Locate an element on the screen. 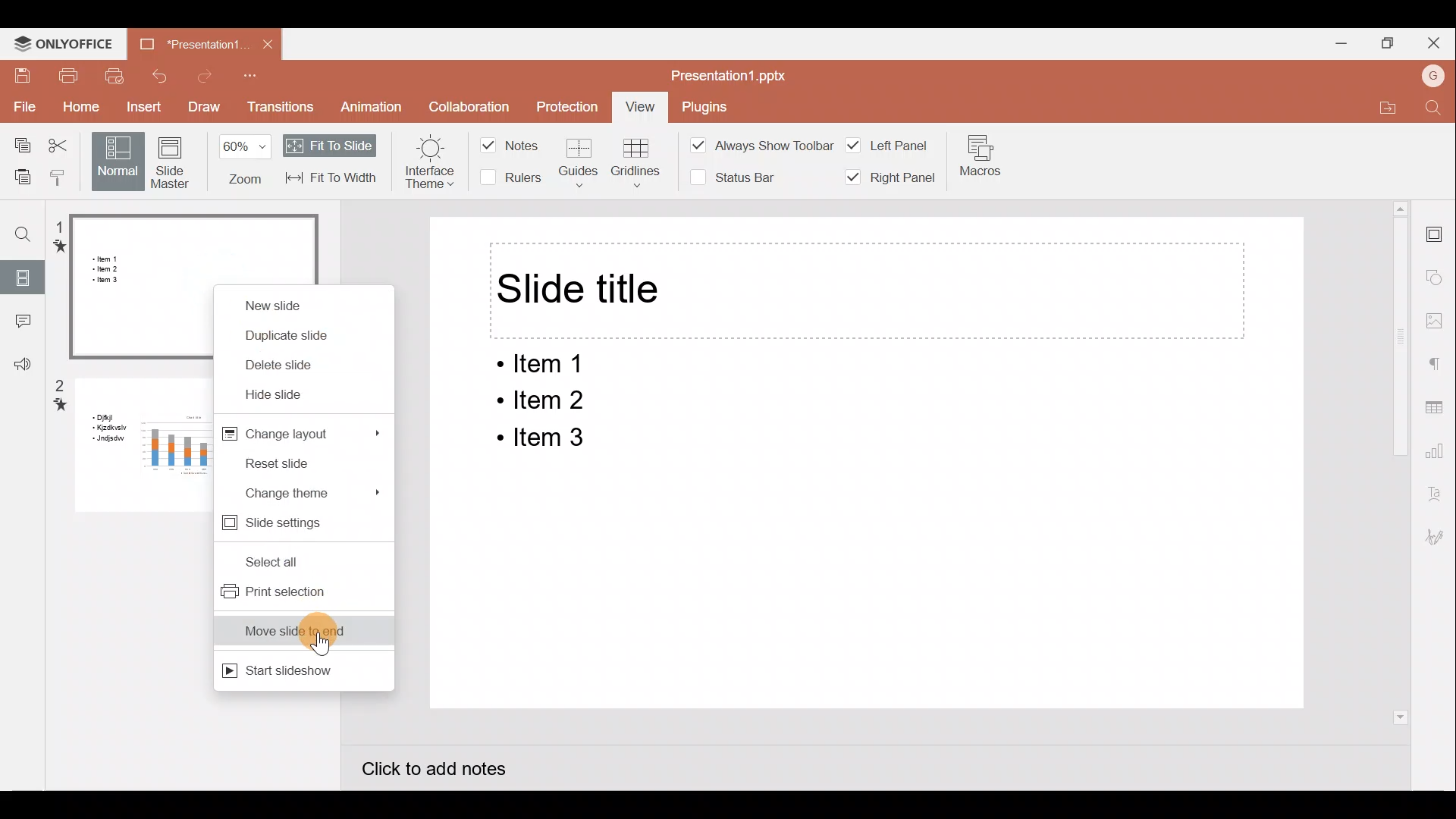 The height and width of the screenshot is (819, 1456). Close is located at coordinates (1433, 45).